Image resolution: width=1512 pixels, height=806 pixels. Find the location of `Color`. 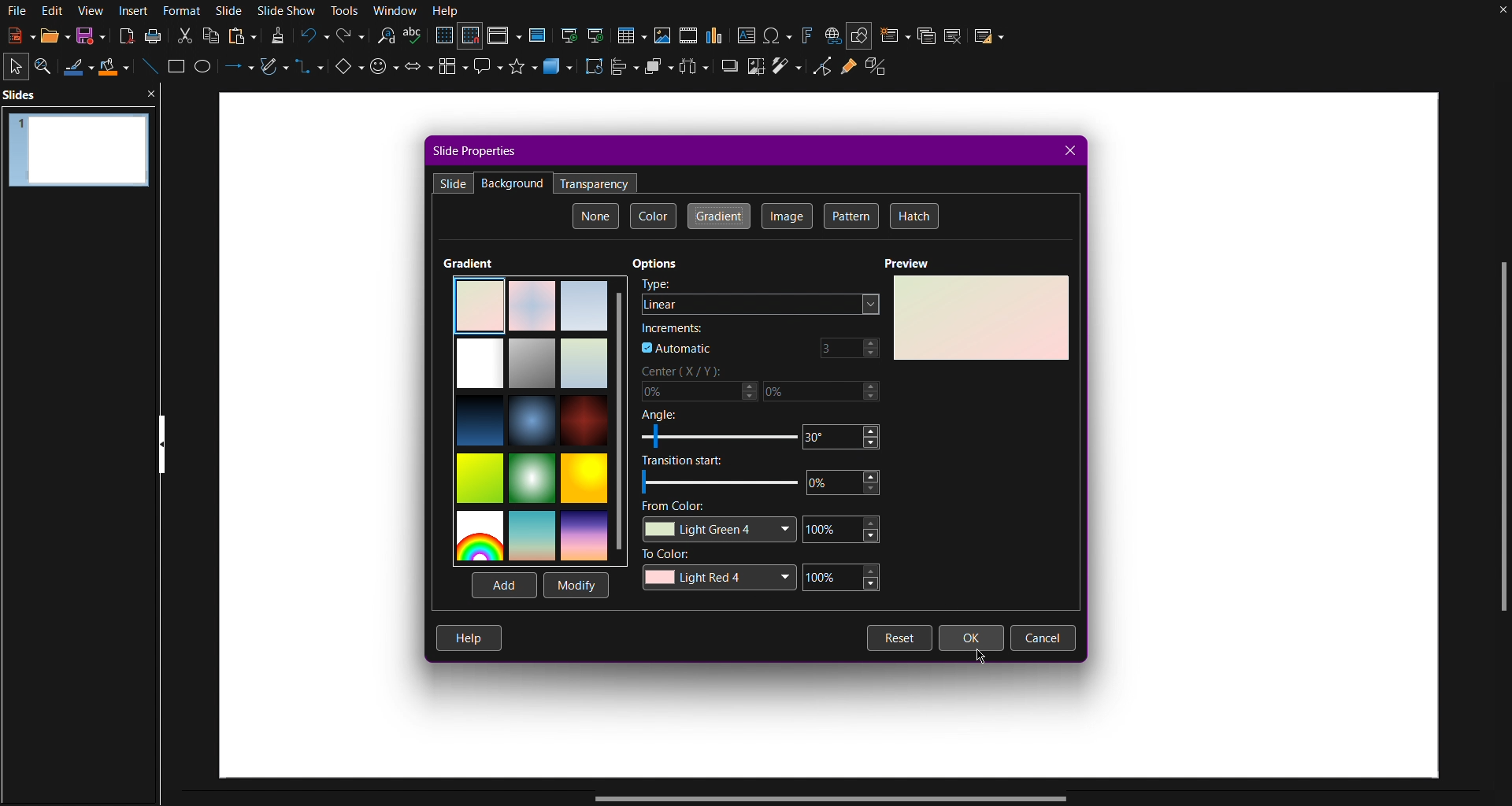

Color is located at coordinates (654, 217).